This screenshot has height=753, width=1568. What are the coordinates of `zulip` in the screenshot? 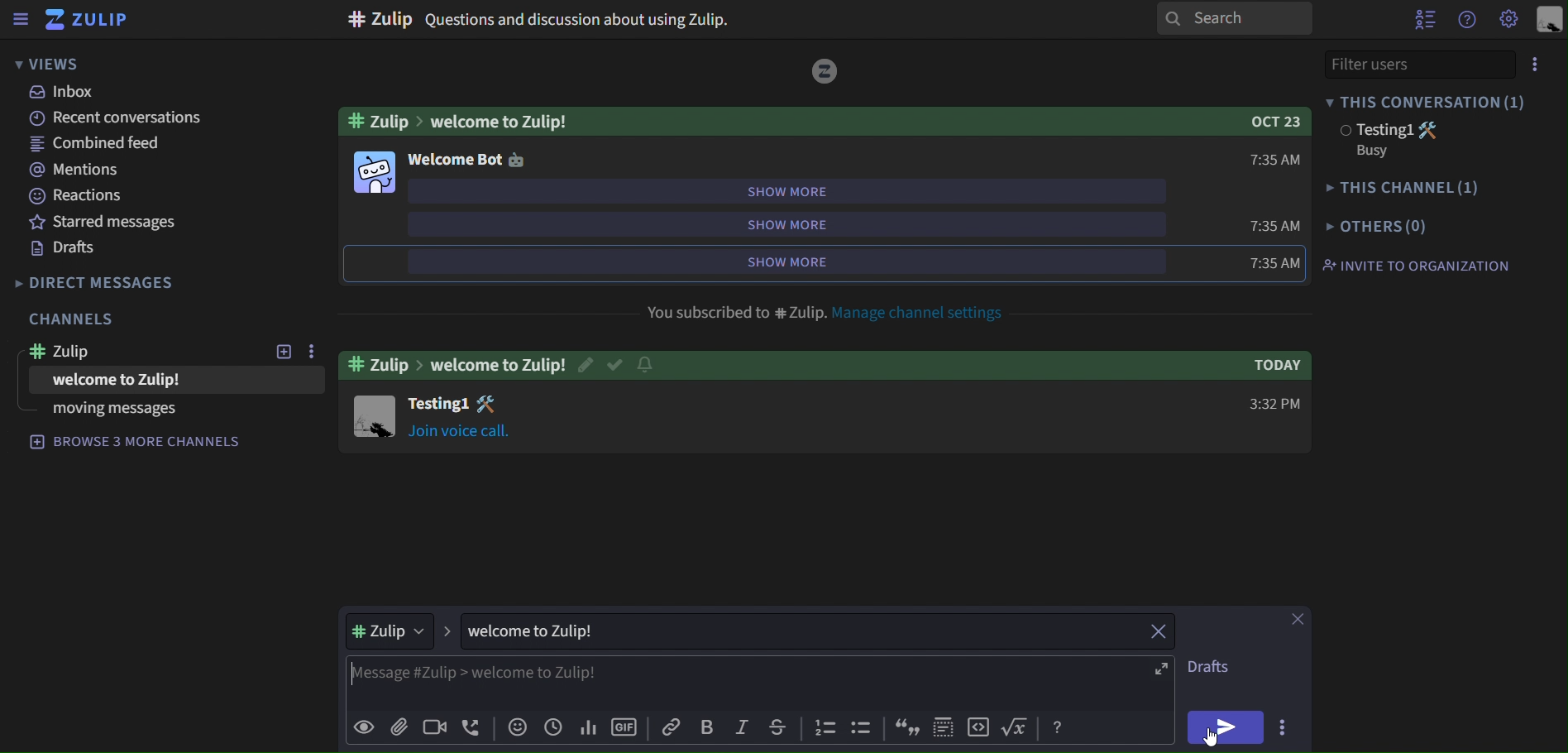 It's located at (80, 353).